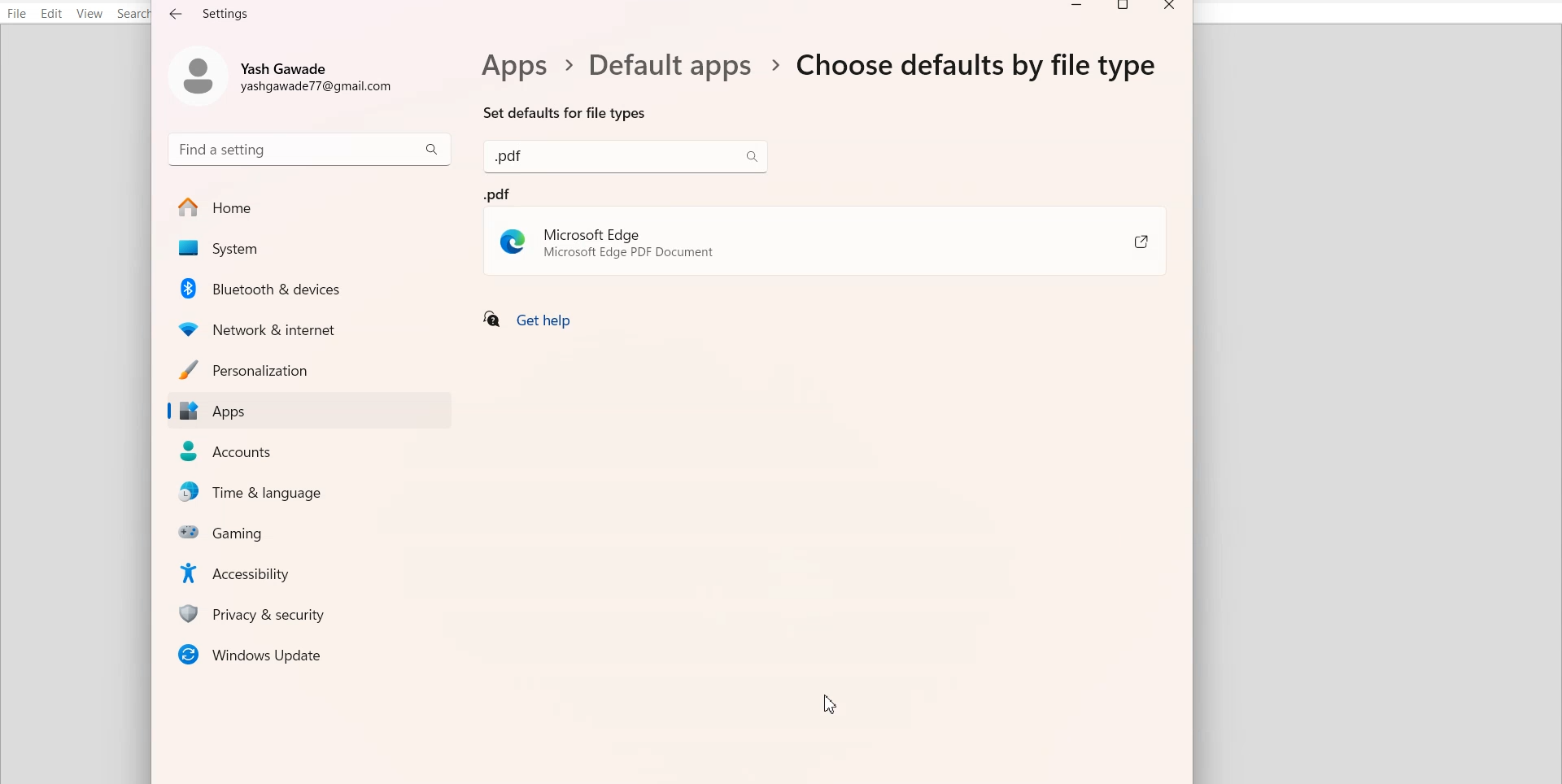 Image resolution: width=1562 pixels, height=784 pixels. I want to click on Accessibility, so click(313, 572).